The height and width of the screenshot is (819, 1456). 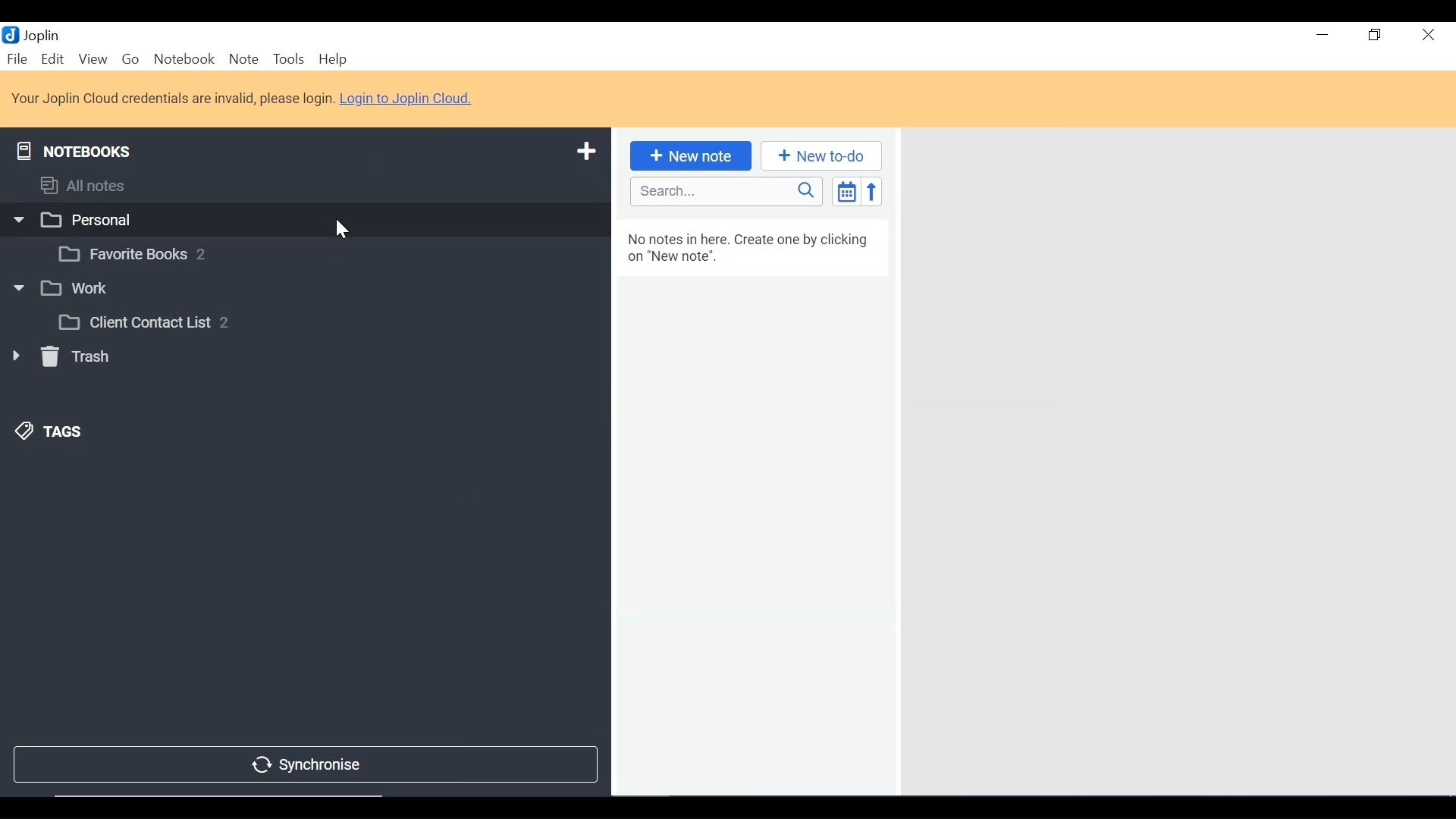 What do you see at coordinates (821, 156) in the screenshot?
I see `Add New to-do` at bounding box center [821, 156].